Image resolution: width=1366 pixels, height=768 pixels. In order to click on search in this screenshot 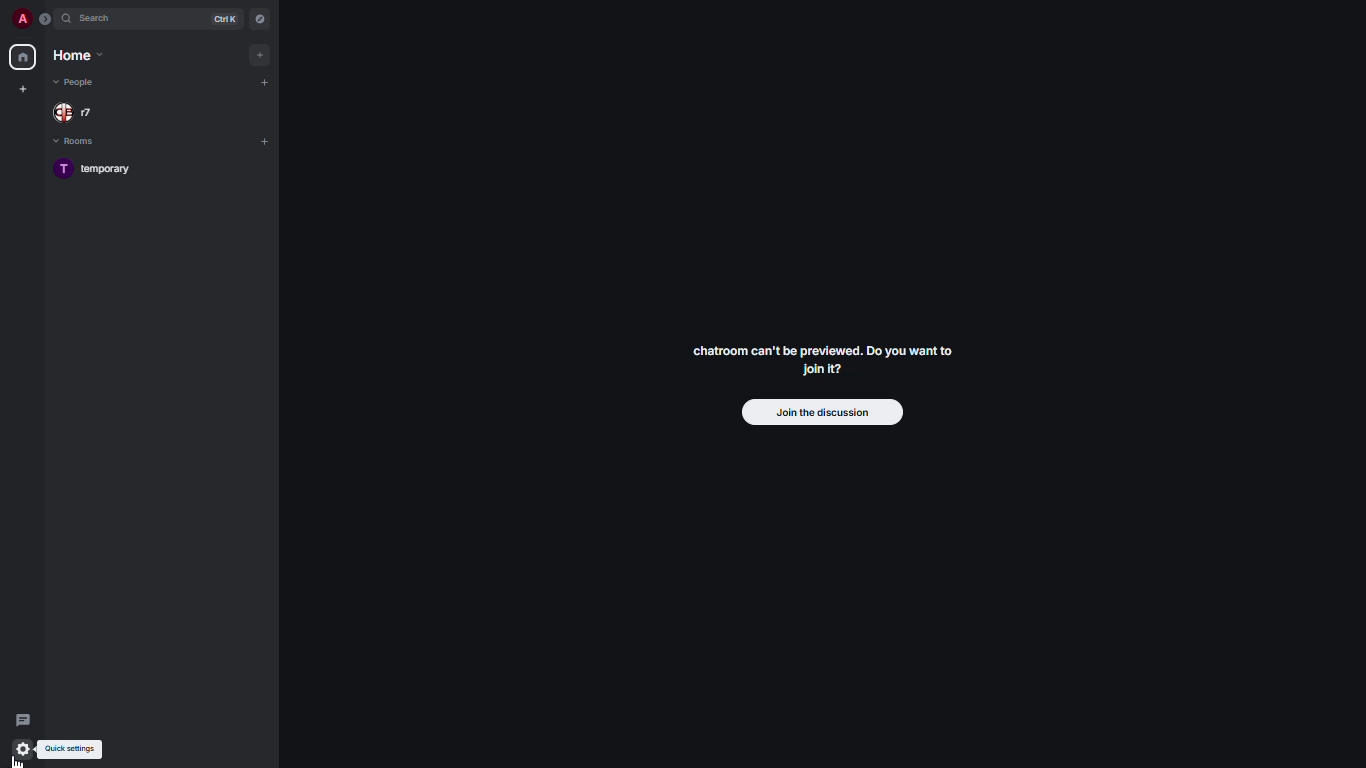, I will do `click(94, 18)`.